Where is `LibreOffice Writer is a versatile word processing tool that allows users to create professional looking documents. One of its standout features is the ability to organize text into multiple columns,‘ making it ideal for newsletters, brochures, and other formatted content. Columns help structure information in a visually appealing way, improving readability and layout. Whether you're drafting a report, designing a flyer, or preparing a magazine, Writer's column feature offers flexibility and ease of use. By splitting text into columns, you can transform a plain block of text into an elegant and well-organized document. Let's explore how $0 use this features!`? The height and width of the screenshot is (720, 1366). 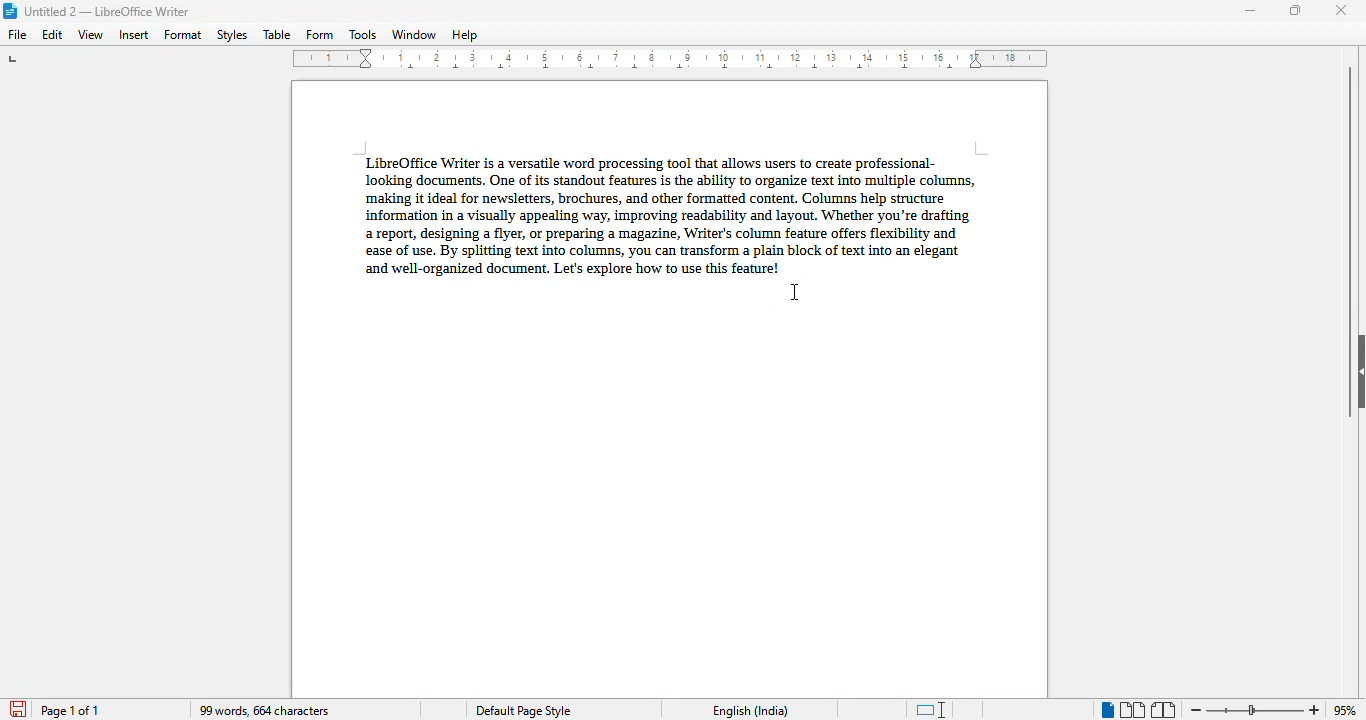 LibreOffice Writer is a versatile word processing tool that allows users to create professional looking documents. One of its standout features is the ability to organize text into multiple columns,‘ making it ideal for newsletters, brochures, and other formatted content. Columns help structure information in a visually appealing way, improving readability and layout. Whether you're drafting a report, designing a flyer, or preparing a magazine, Writer's column feature offers flexibility and ease of use. By splitting text into columns, you can transform a plain block of text into an elegant and well-organized document. Let's explore how $0 use this features! is located at coordinates (665, 211).